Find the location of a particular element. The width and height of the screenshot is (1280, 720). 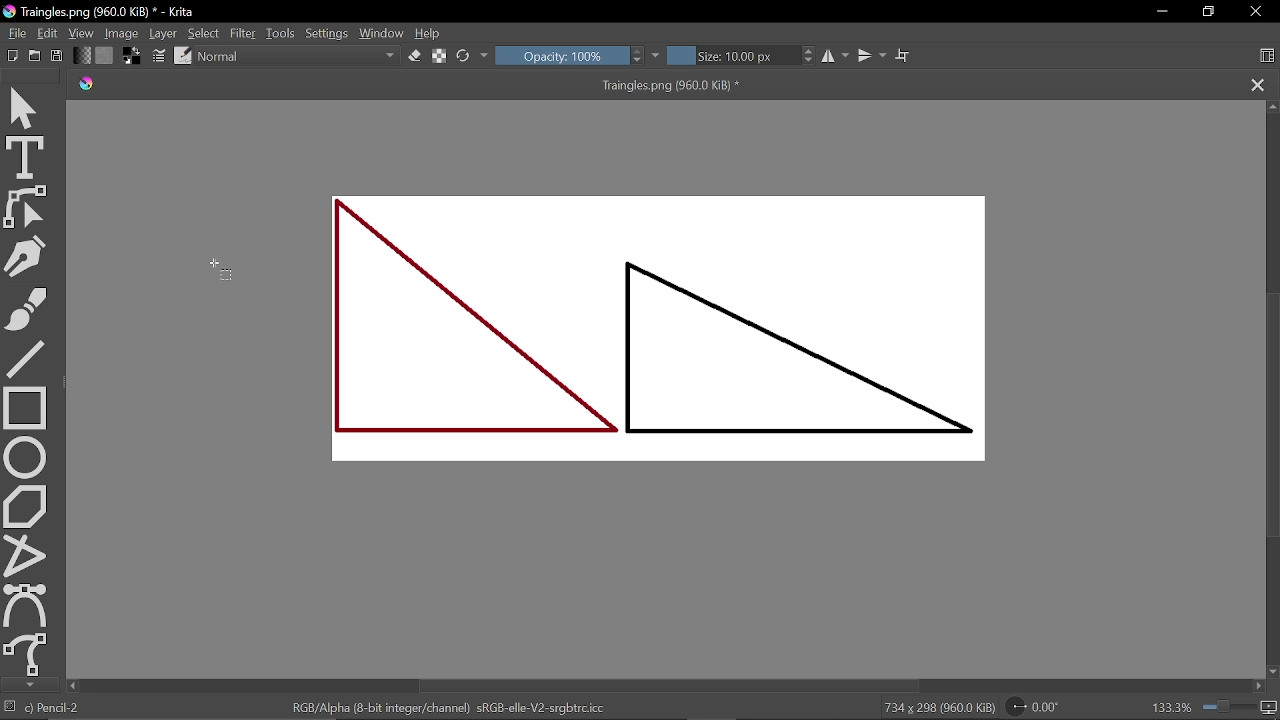

Bezier curve tool is located at coordinates (26, 604).